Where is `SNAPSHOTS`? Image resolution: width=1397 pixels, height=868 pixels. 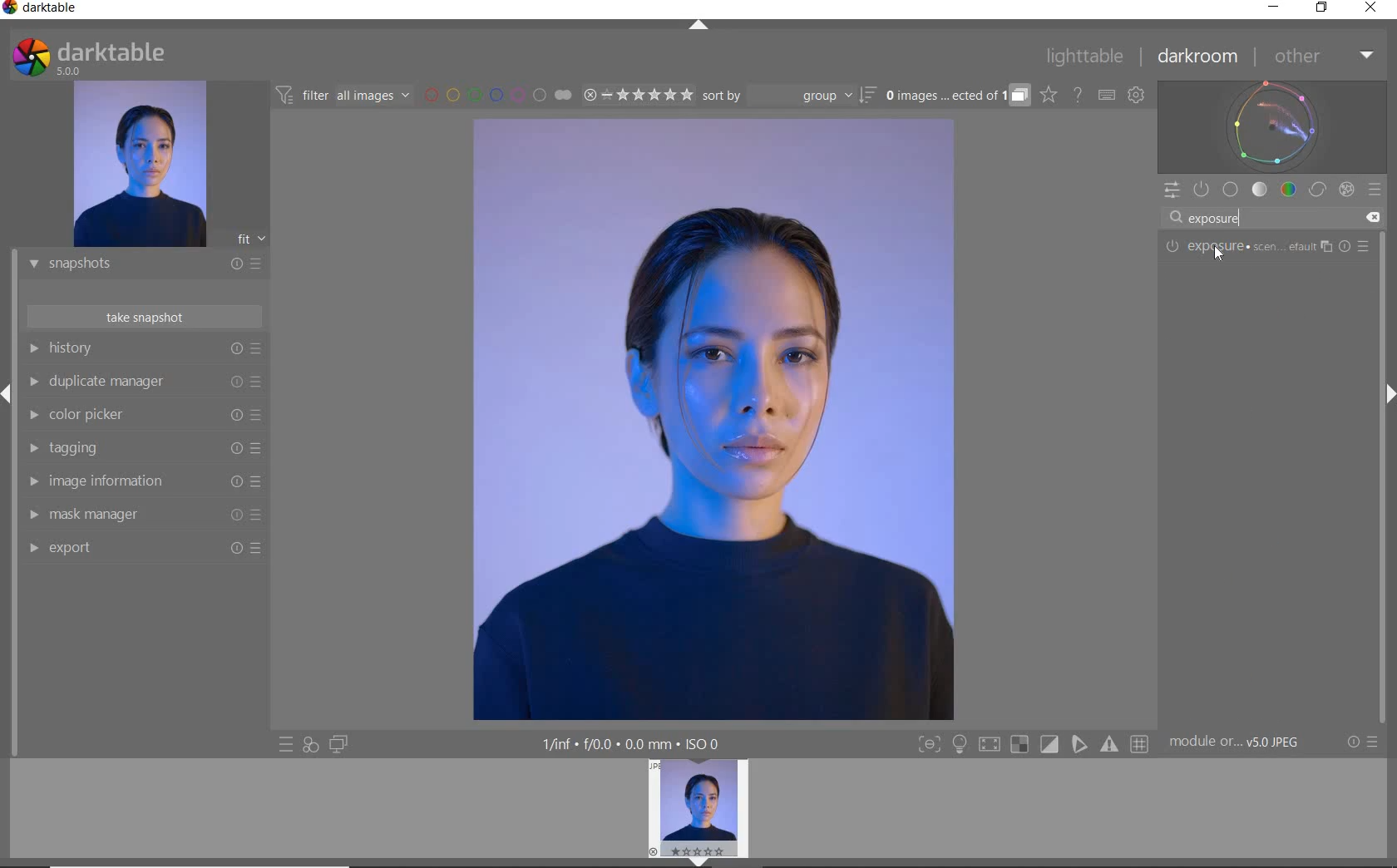
SNAPSHOTS is located at coordinates (138, 265).